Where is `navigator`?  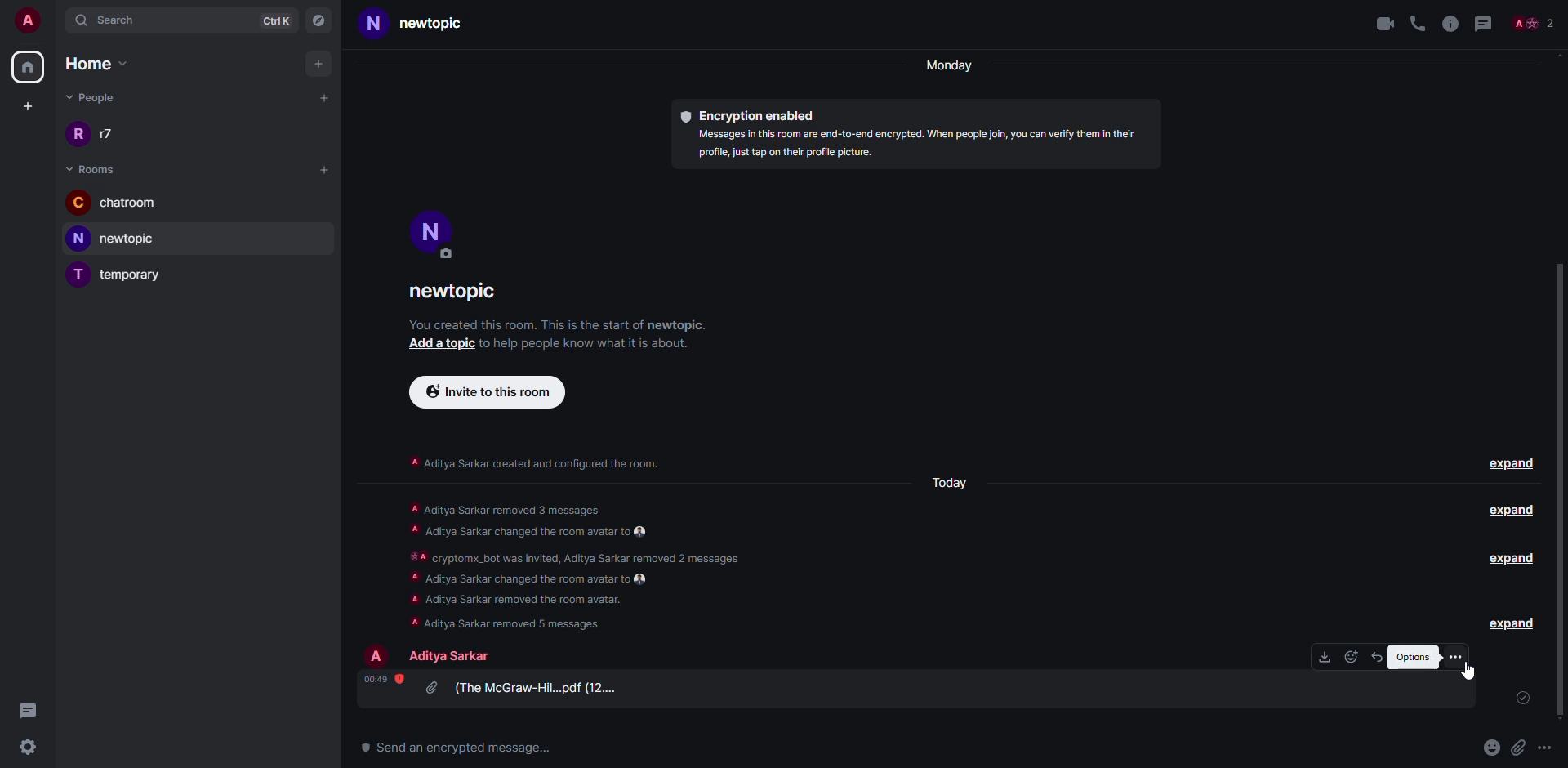 navigator is located at coordinates (318, 19).